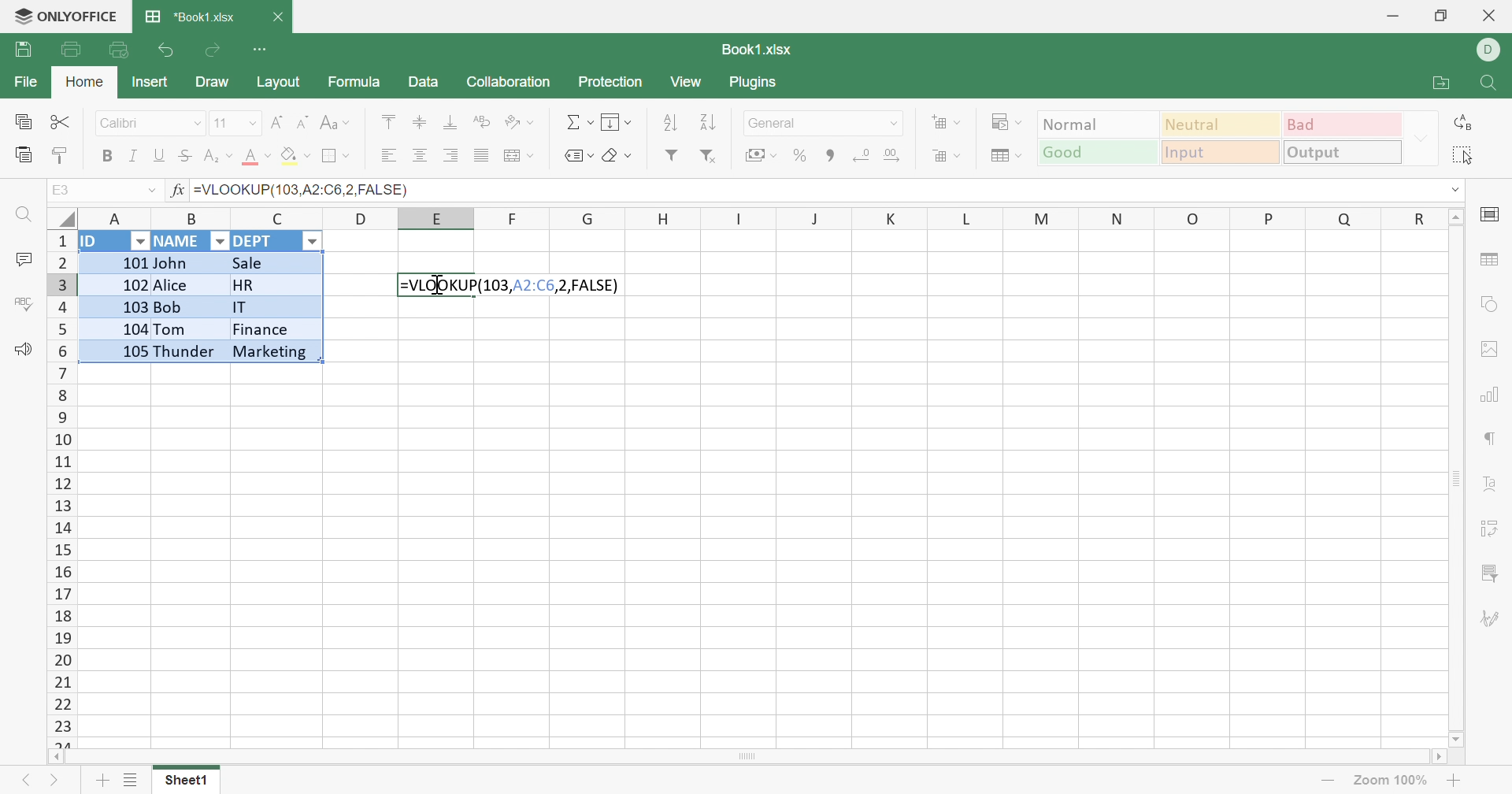 The height and width of the screenshot is (794, 1512). Describe the element at coordinates (516, 154) in the screenshot. I see `Merge and center` at that location.